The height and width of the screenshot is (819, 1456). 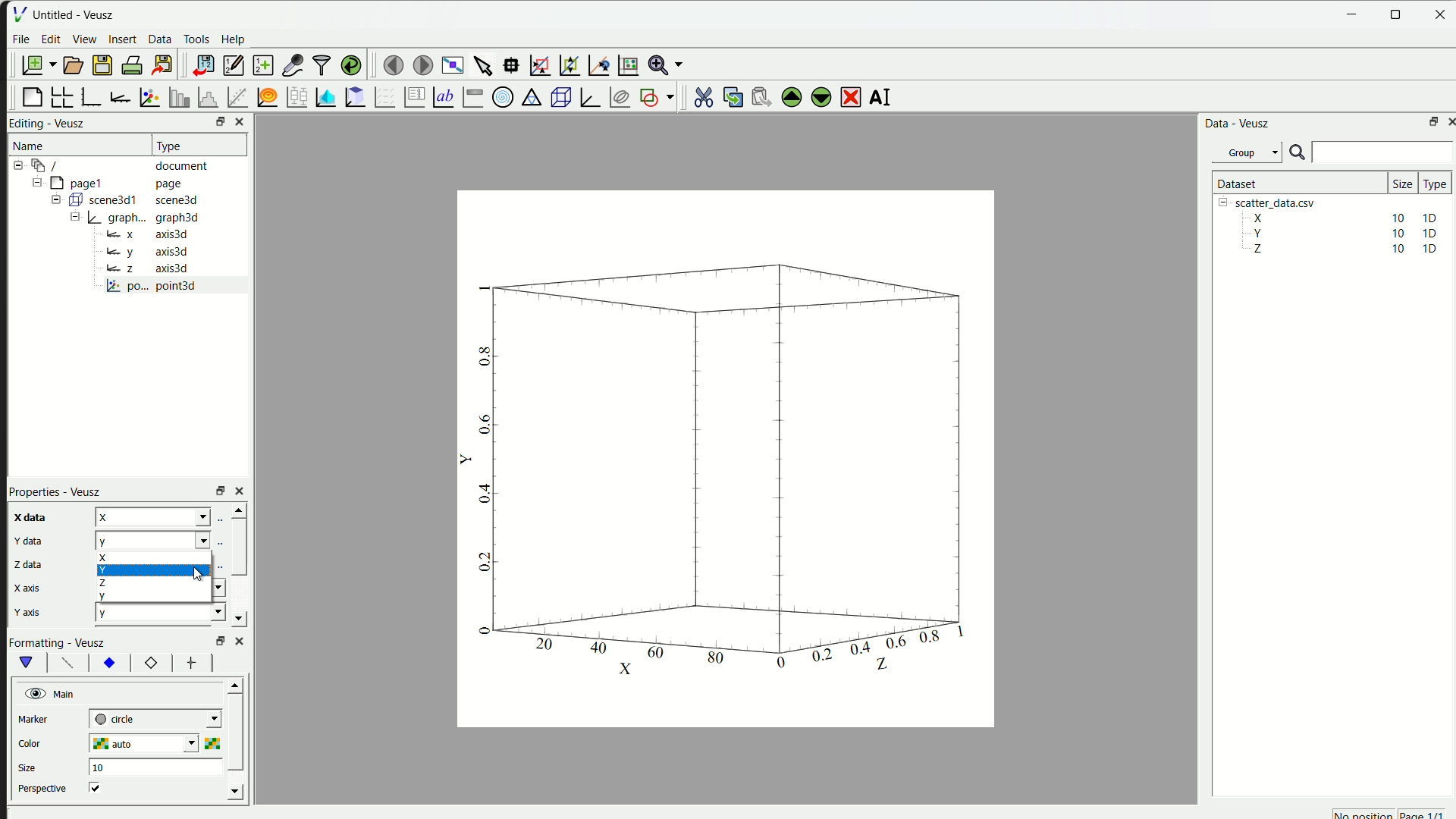 I want to click on Main, so click(x=54, y=692).